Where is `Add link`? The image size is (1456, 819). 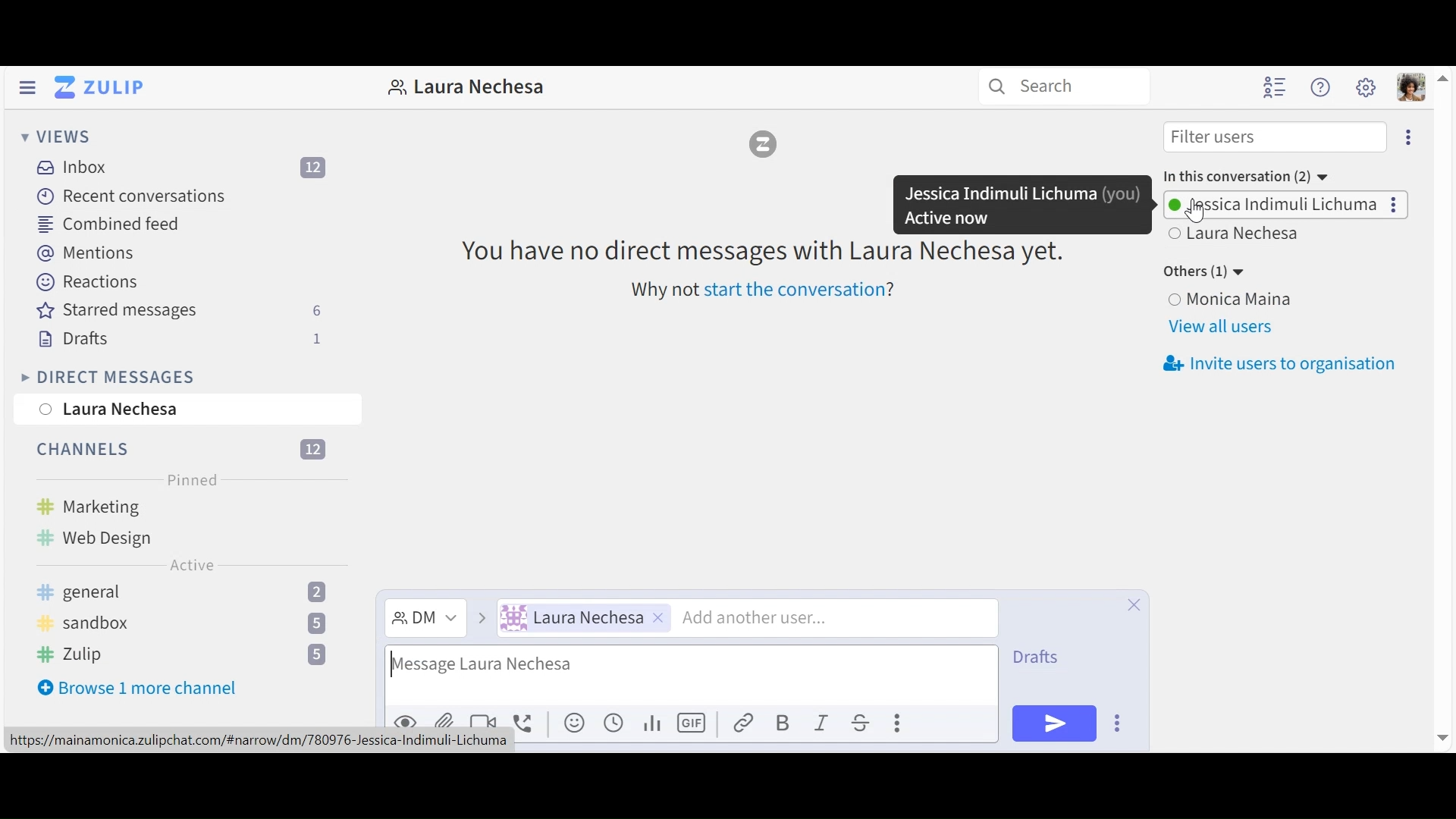
Add link is located at coordinates (745, 722).